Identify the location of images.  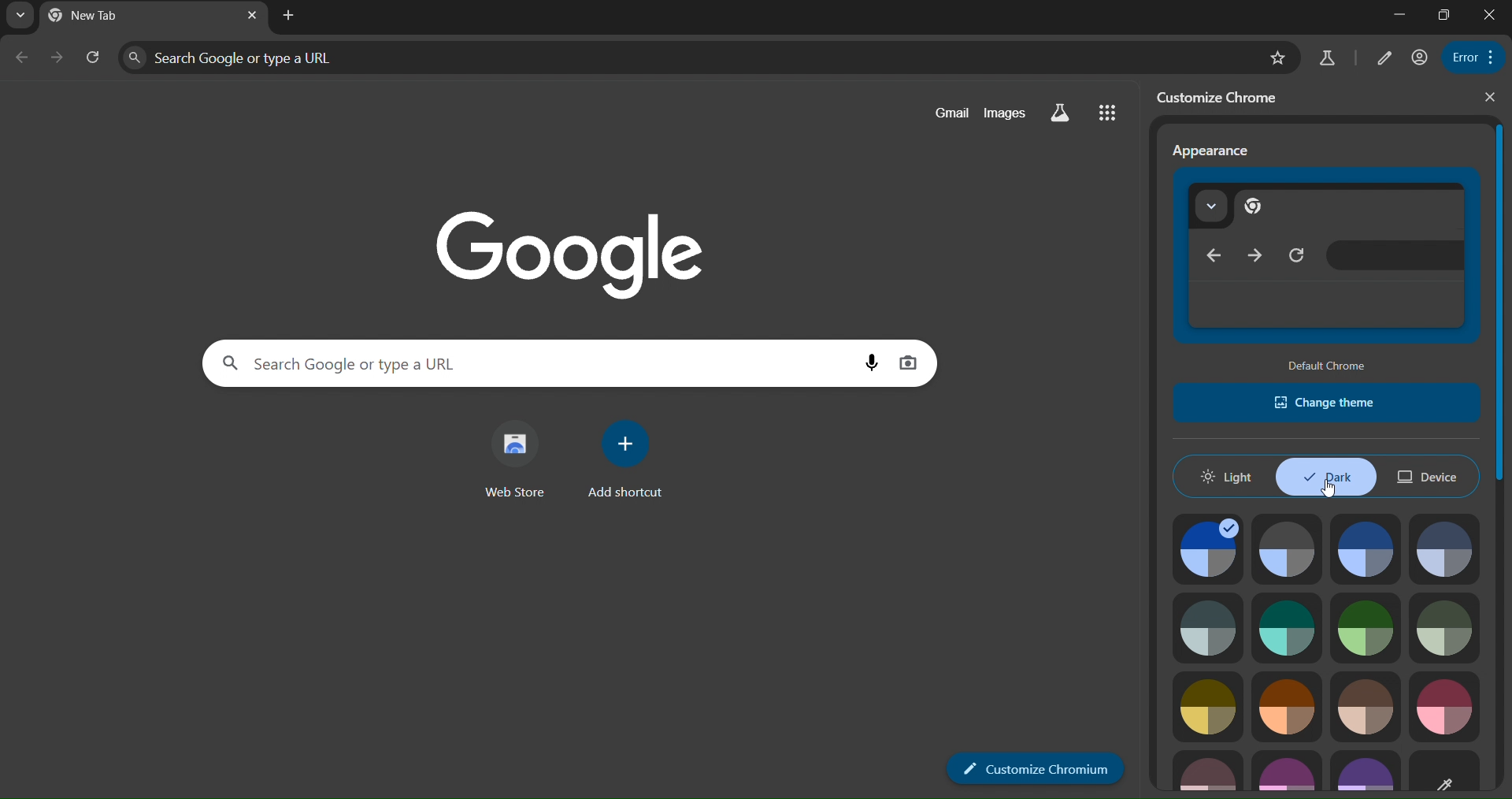
(1006, 112).